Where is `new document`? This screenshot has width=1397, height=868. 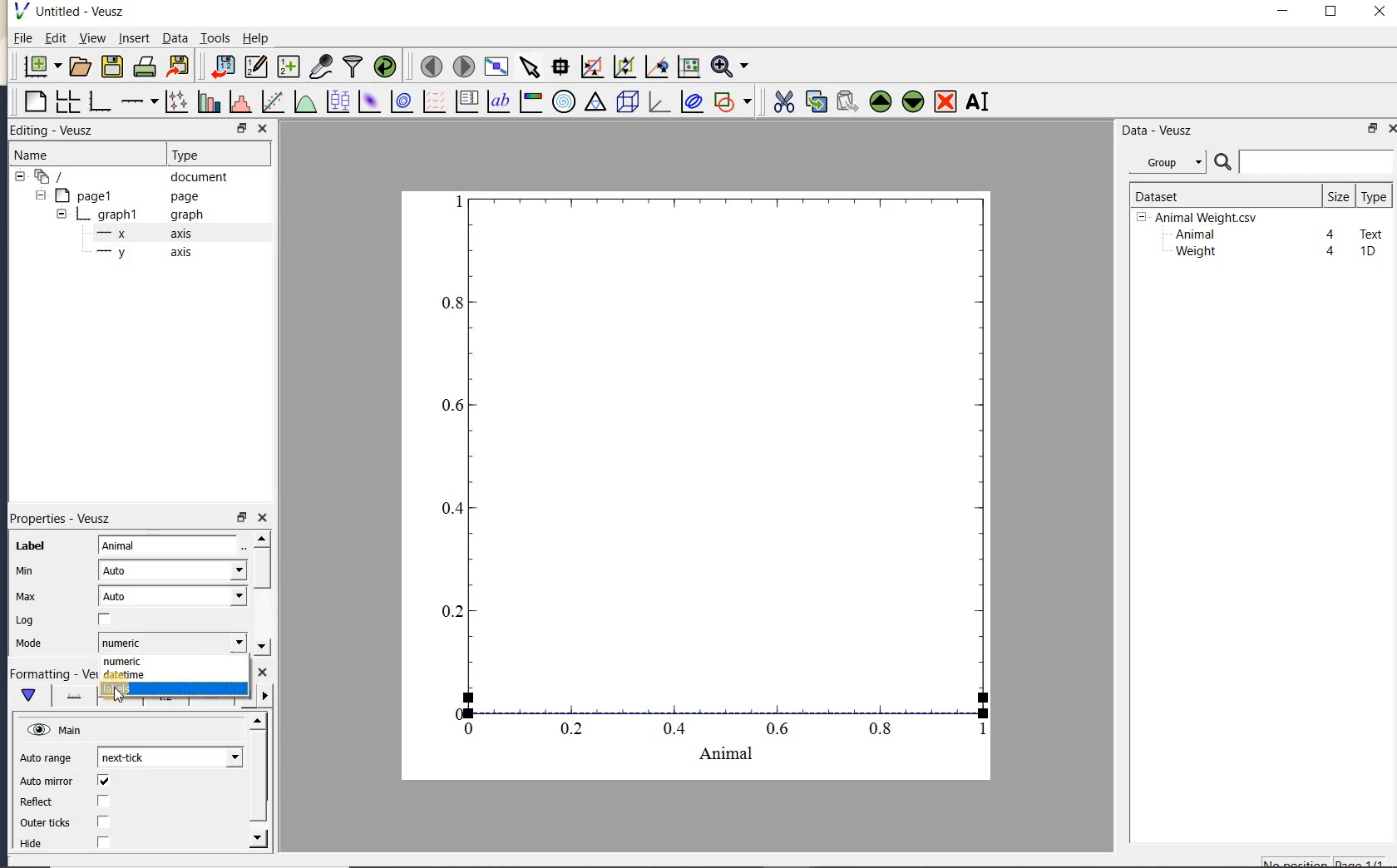
new document is located at coordinates (38, 67).